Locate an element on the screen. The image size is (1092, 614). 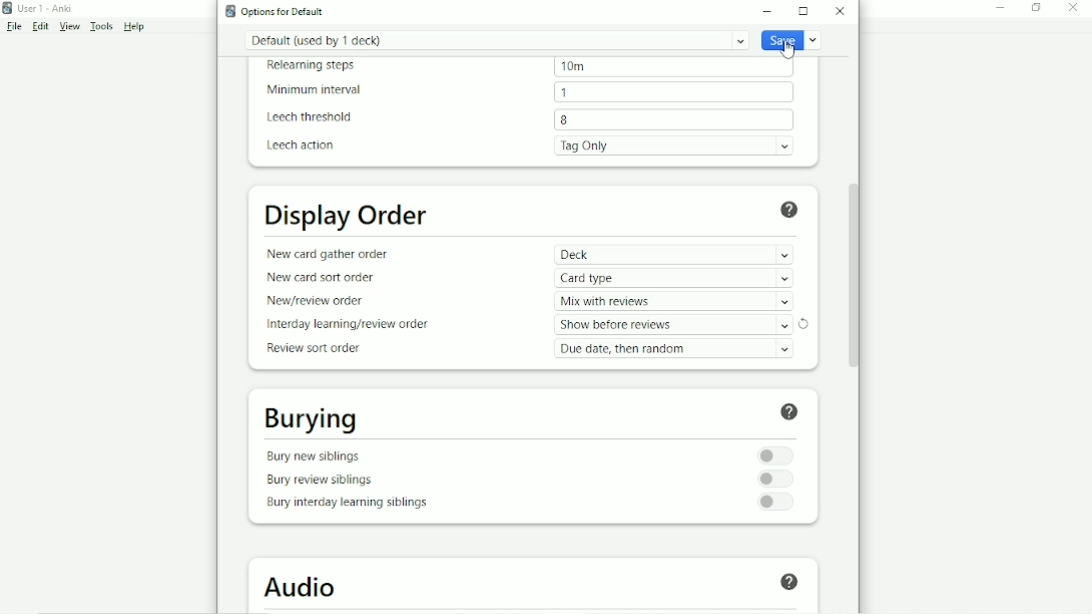
Burying is located at coordinates (309, 419).